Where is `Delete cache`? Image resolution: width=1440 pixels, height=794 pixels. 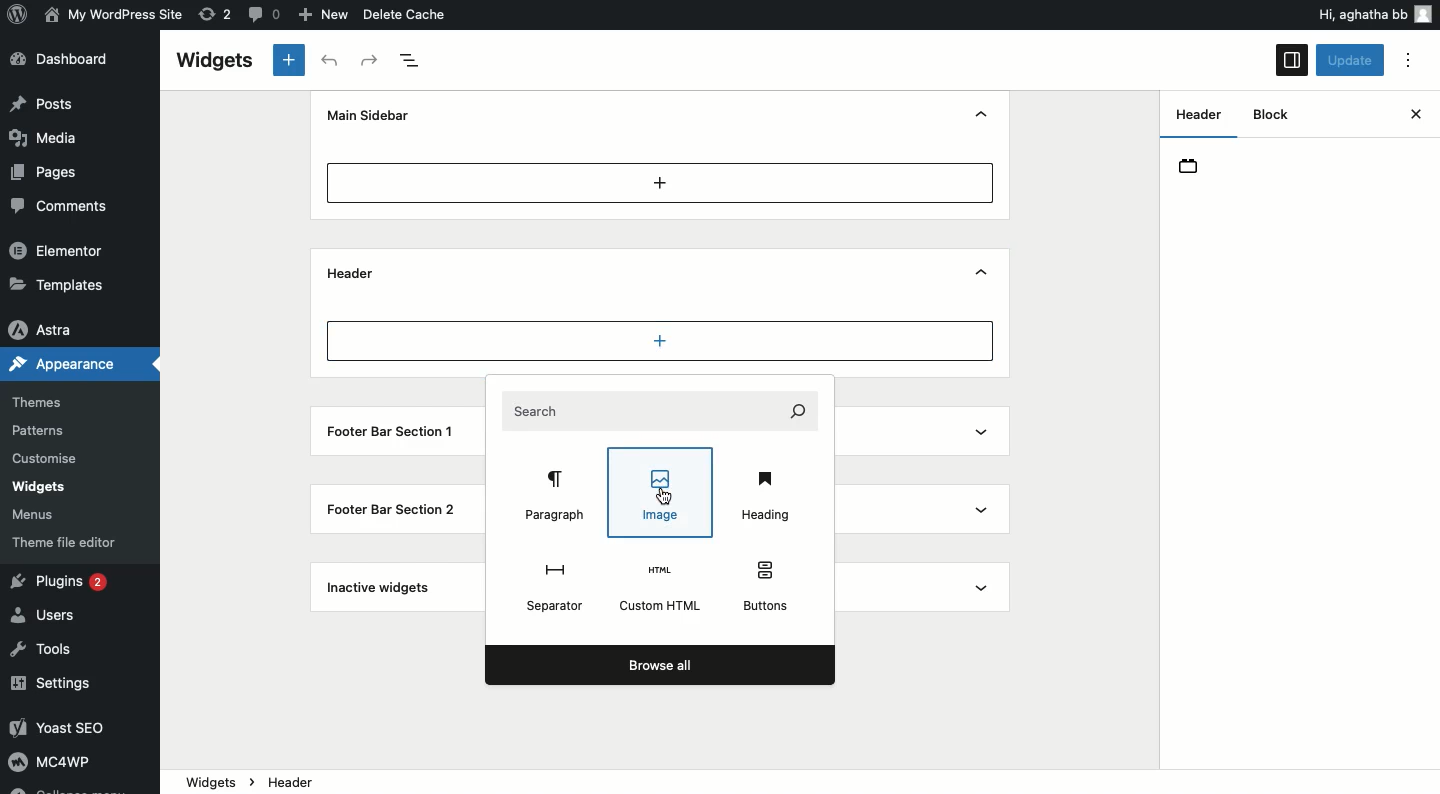 Delete cache is located at coordinates (406, 14).